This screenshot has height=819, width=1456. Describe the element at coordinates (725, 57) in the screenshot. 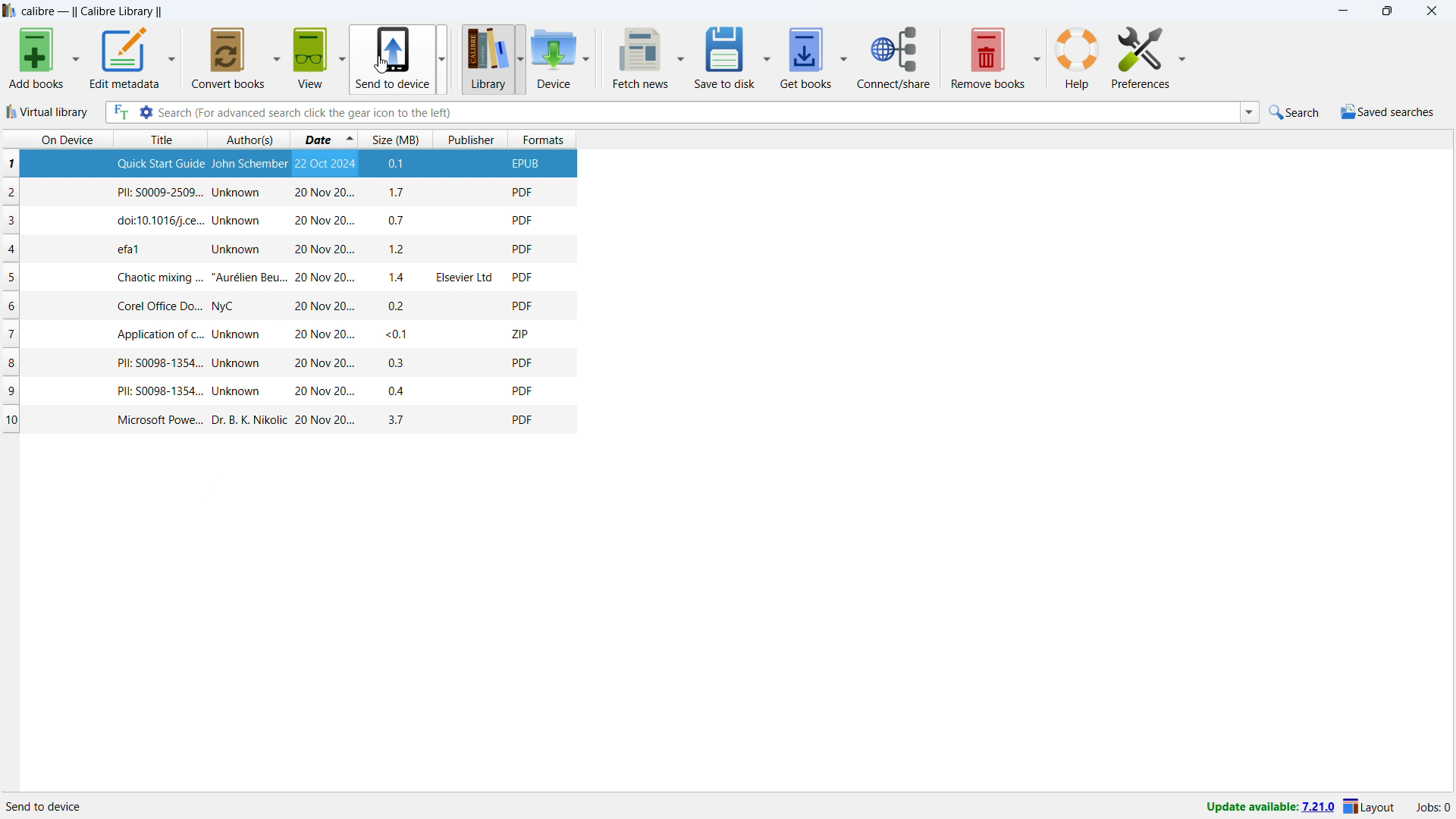

I see `` at that location.